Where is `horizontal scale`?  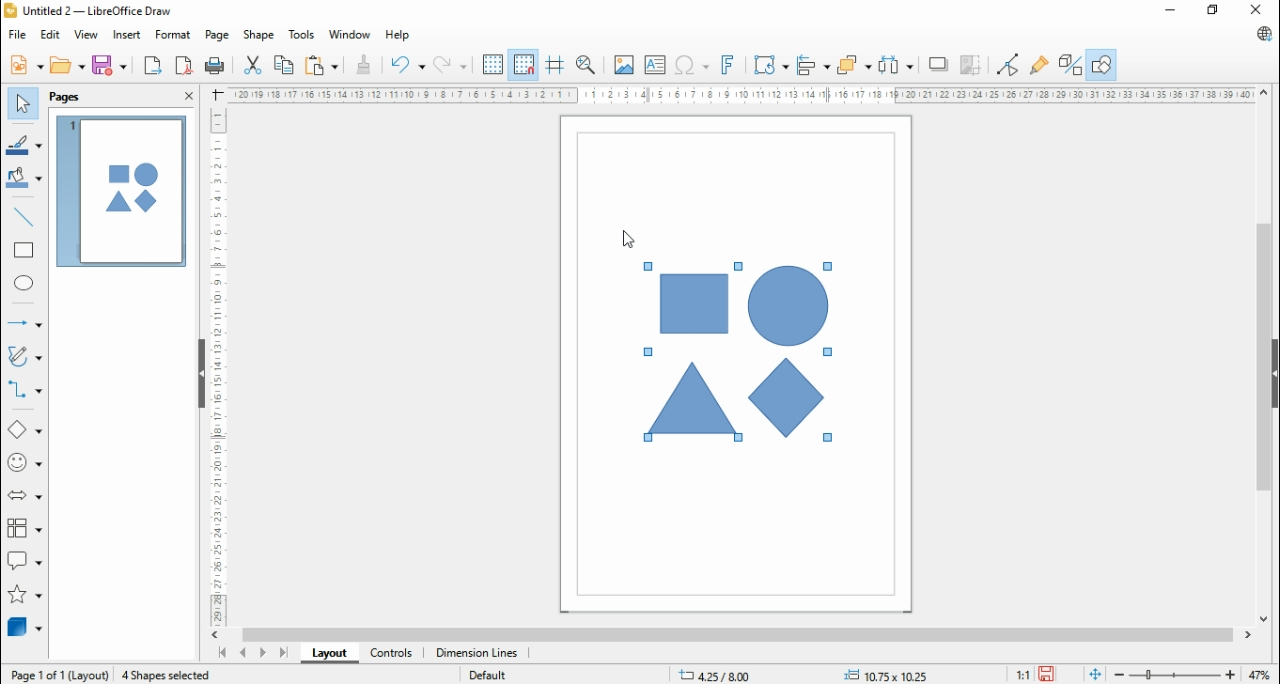 horizontal scale is located at coordinates (744, 94).